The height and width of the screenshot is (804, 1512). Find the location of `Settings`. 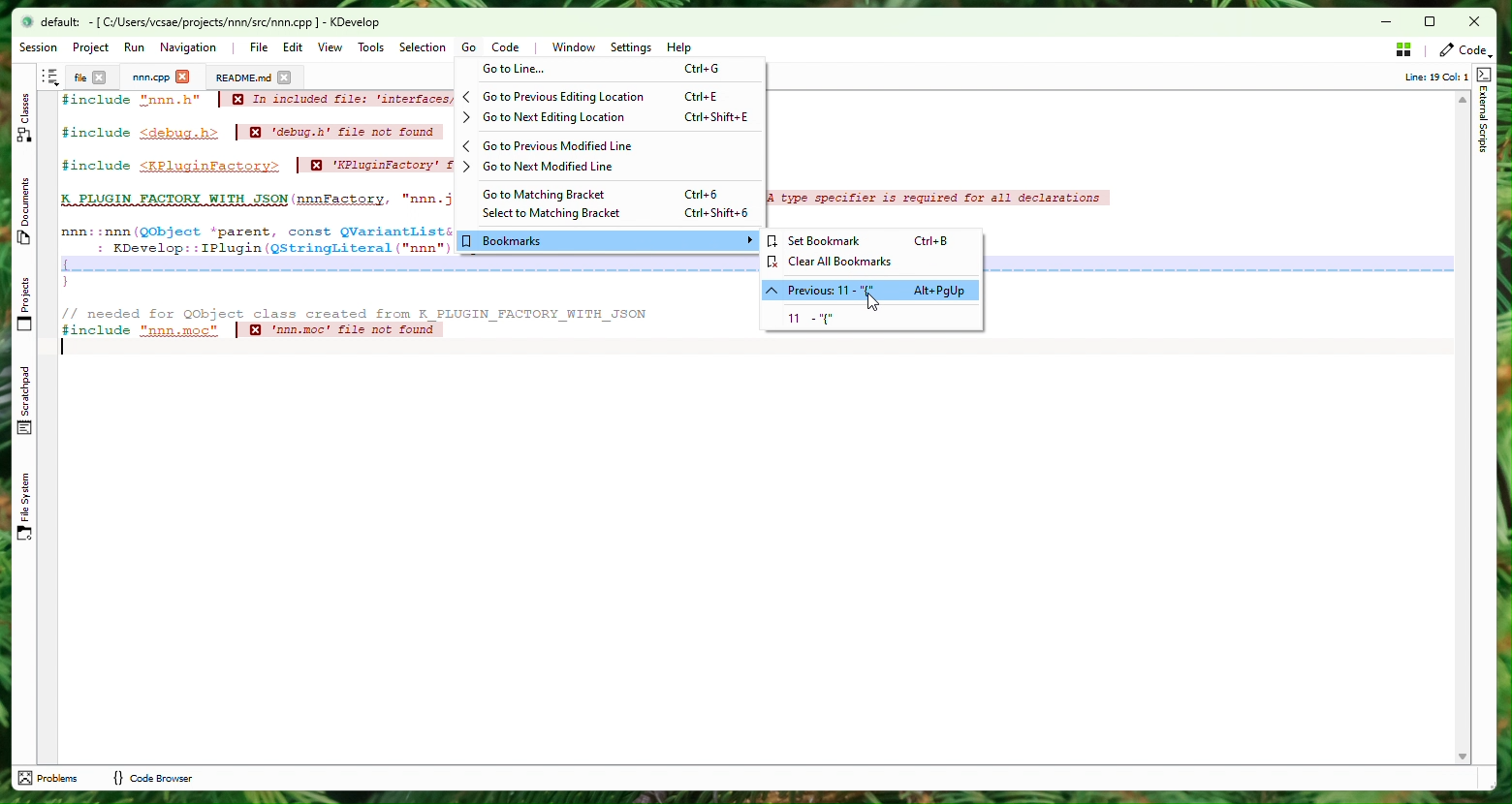

Settings is located at coordinates (632, 48).